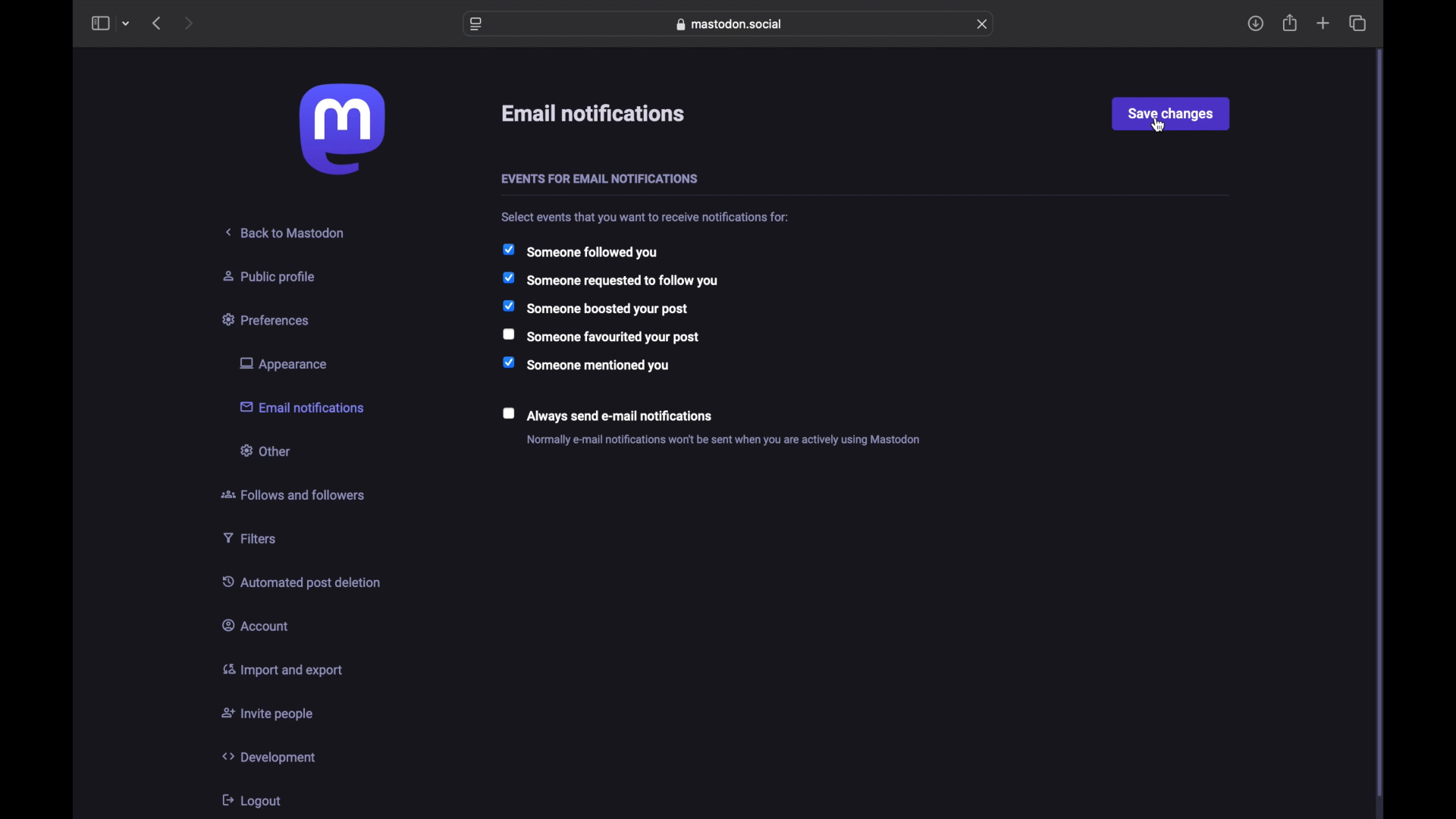  What do you see at coordinates (256, 624) in the screenshot?
I see `account` at bounding box center [256, 624].